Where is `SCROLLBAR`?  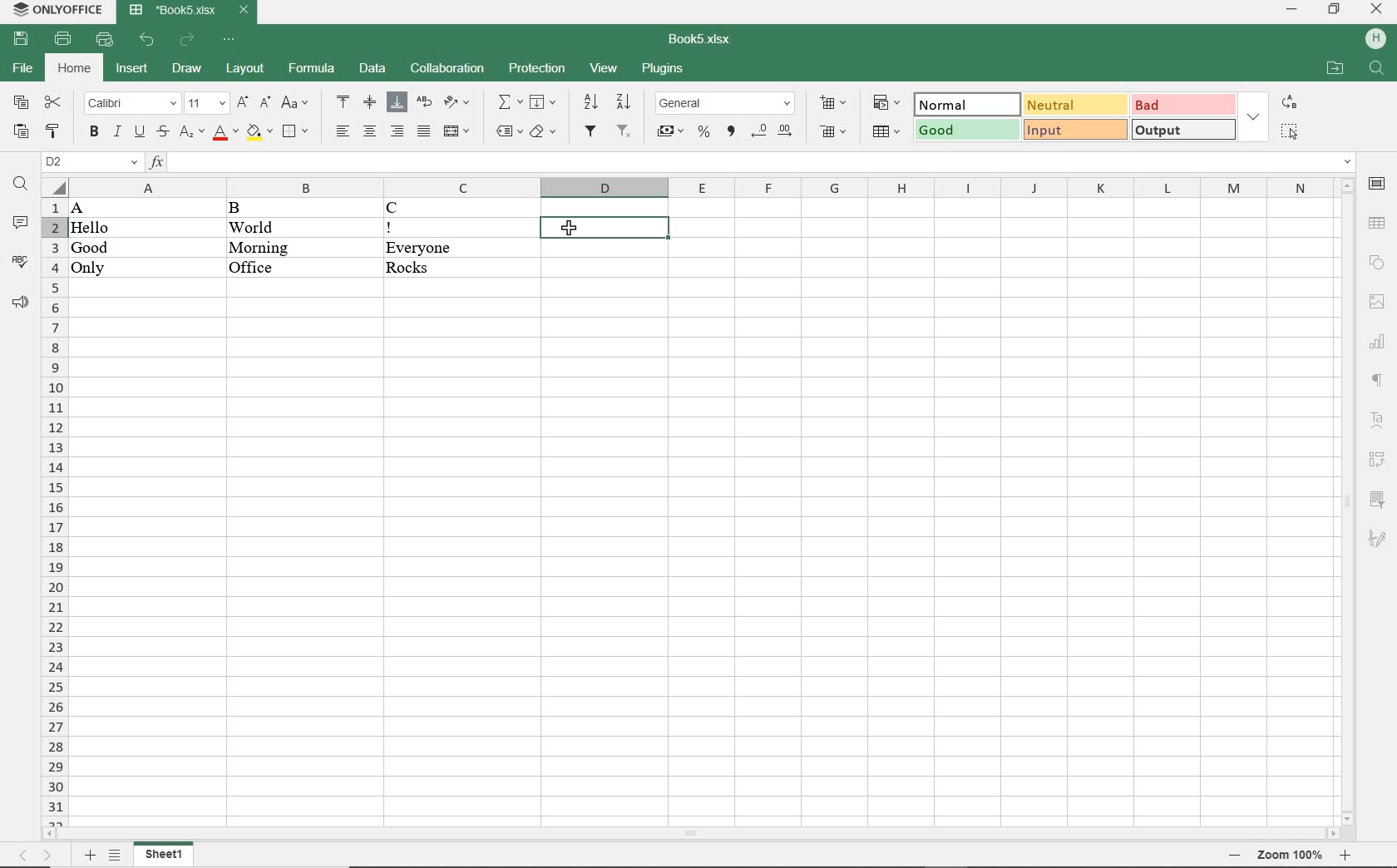 SCROLLBAR is located at coordinates (690, 831).